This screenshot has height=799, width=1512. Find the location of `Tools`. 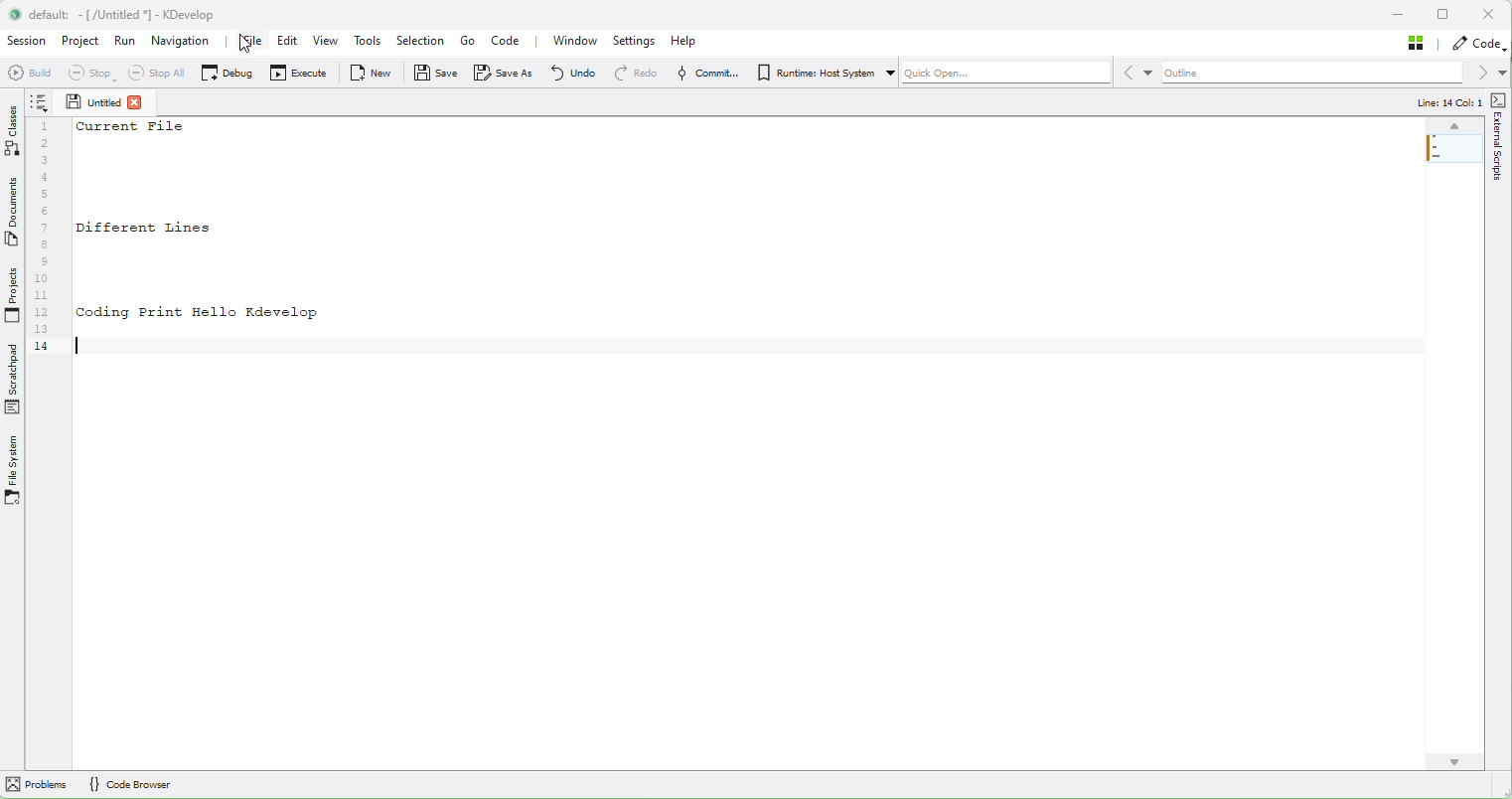

Tools is located at coordinates (372, 42).